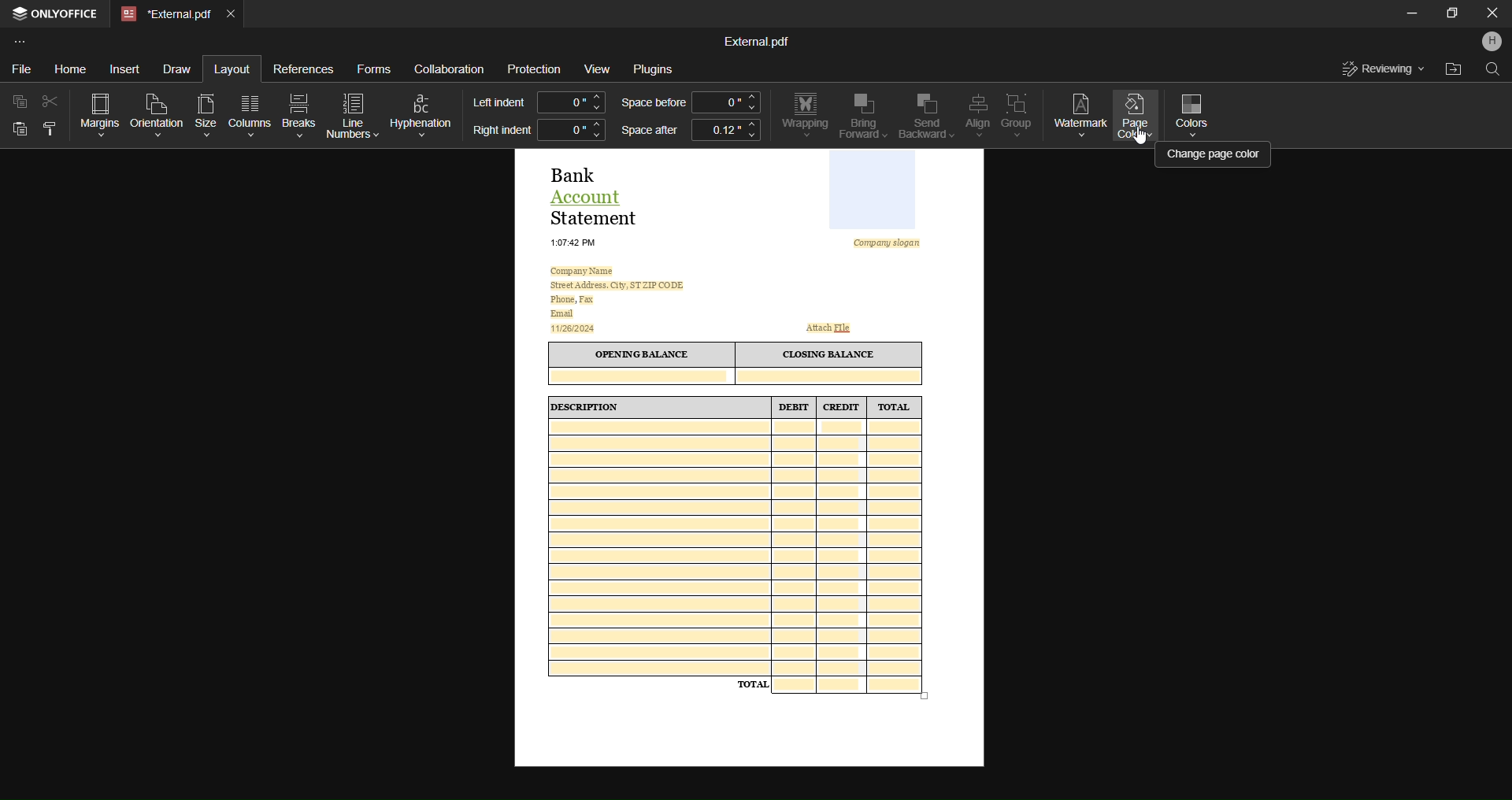 This screenshot has width=1512, height=800. I want to click on Change Page color, so click(1214, 154).